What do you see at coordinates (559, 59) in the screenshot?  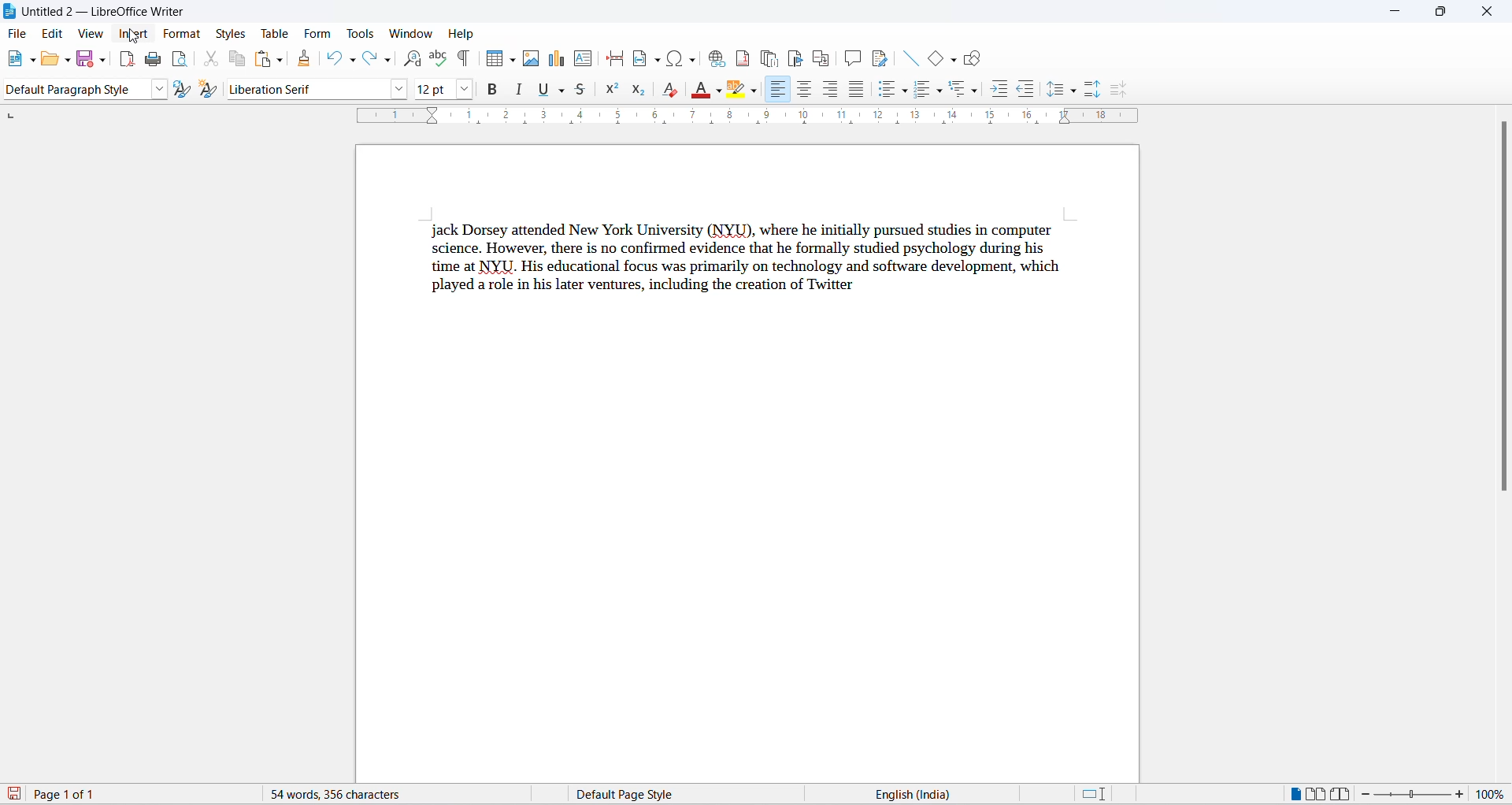 I see `insert chart` at bounding box center [559, 59].